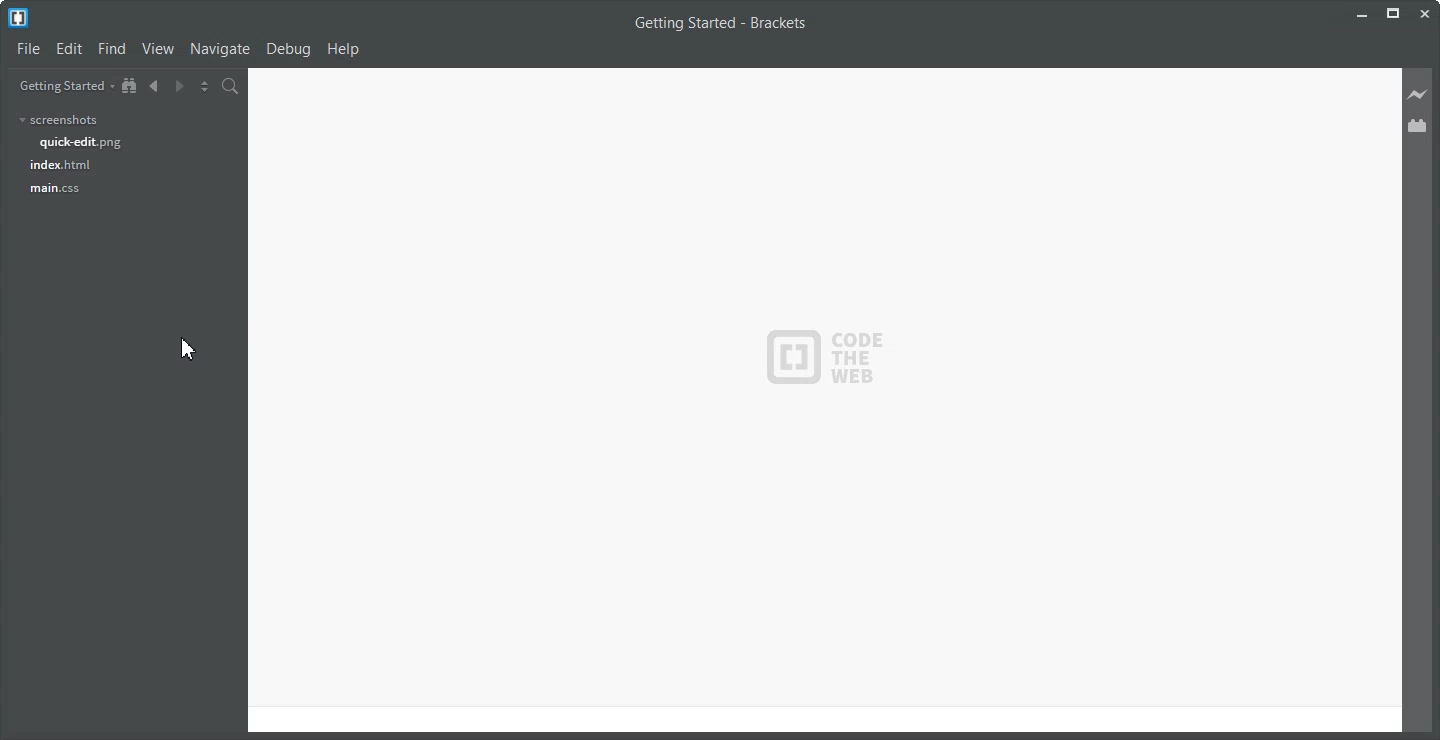 The width and height of the screenshot is (1440, 740). I want to click on logo, so click(831, 358).